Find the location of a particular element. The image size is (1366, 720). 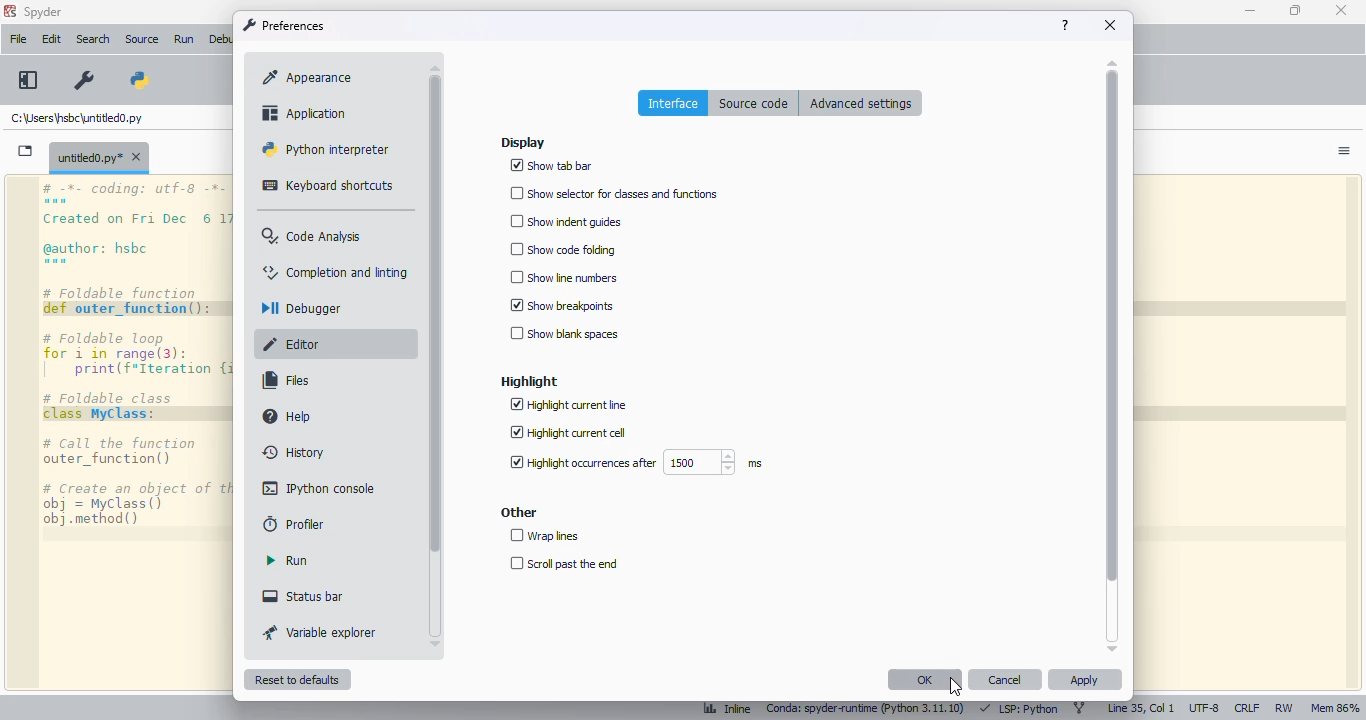

highlight current line is located at coordinates (569, 405).